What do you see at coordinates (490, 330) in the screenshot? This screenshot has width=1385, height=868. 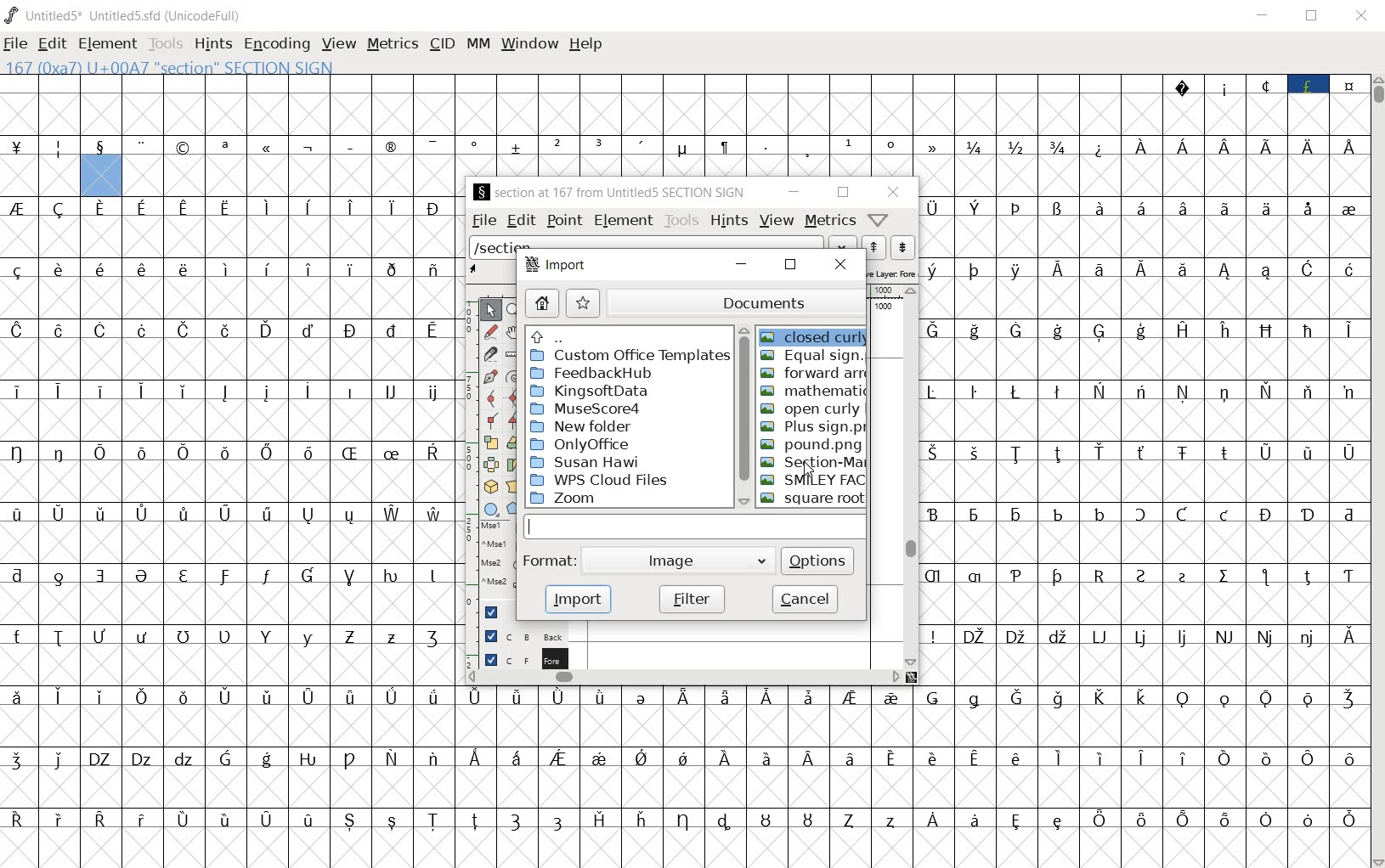 I see `draw a freehand curve` at bounding box center [490, 330].